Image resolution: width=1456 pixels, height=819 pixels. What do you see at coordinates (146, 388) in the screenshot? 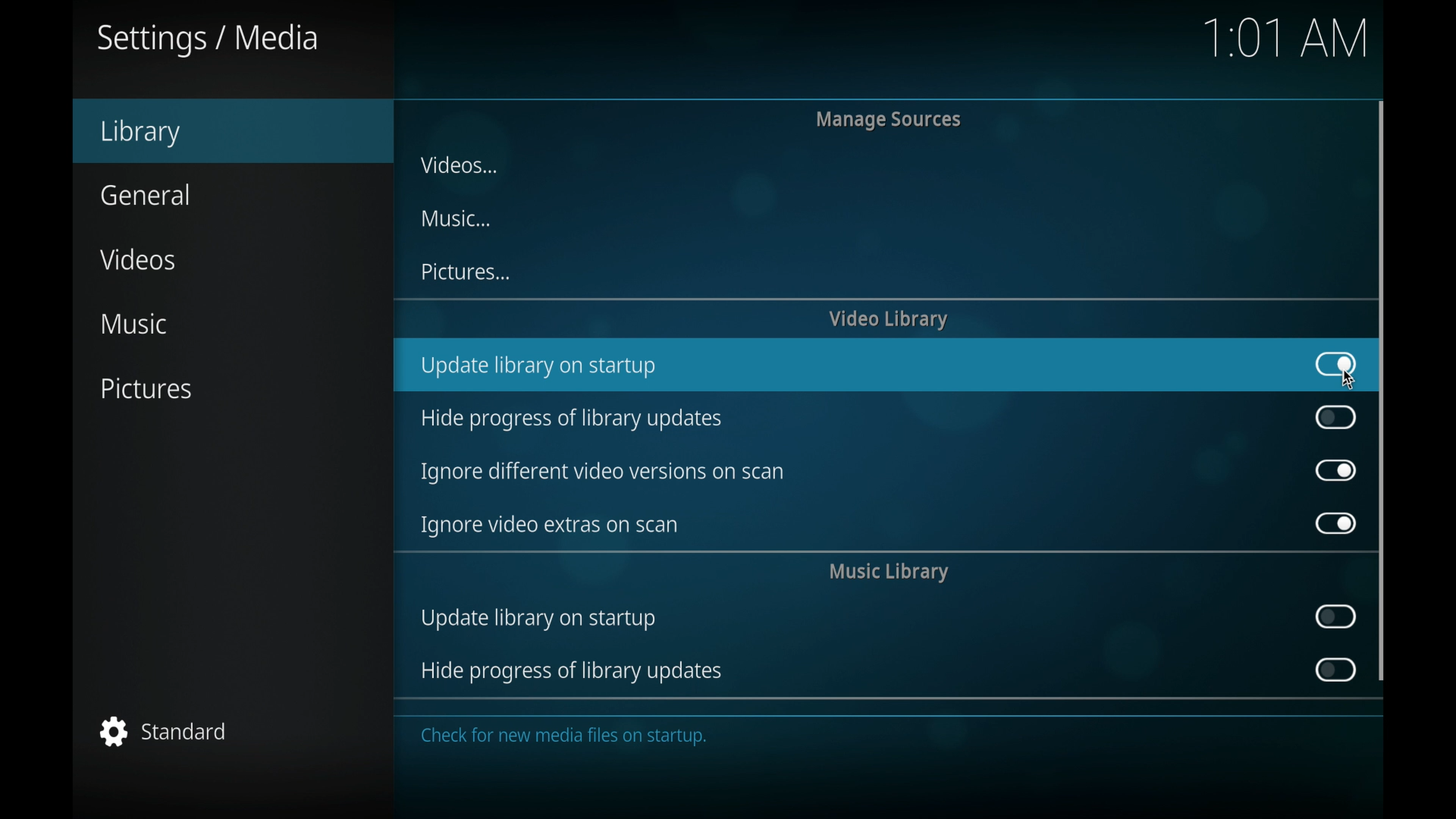
I see `pictures` at bounding box center [146, 388].